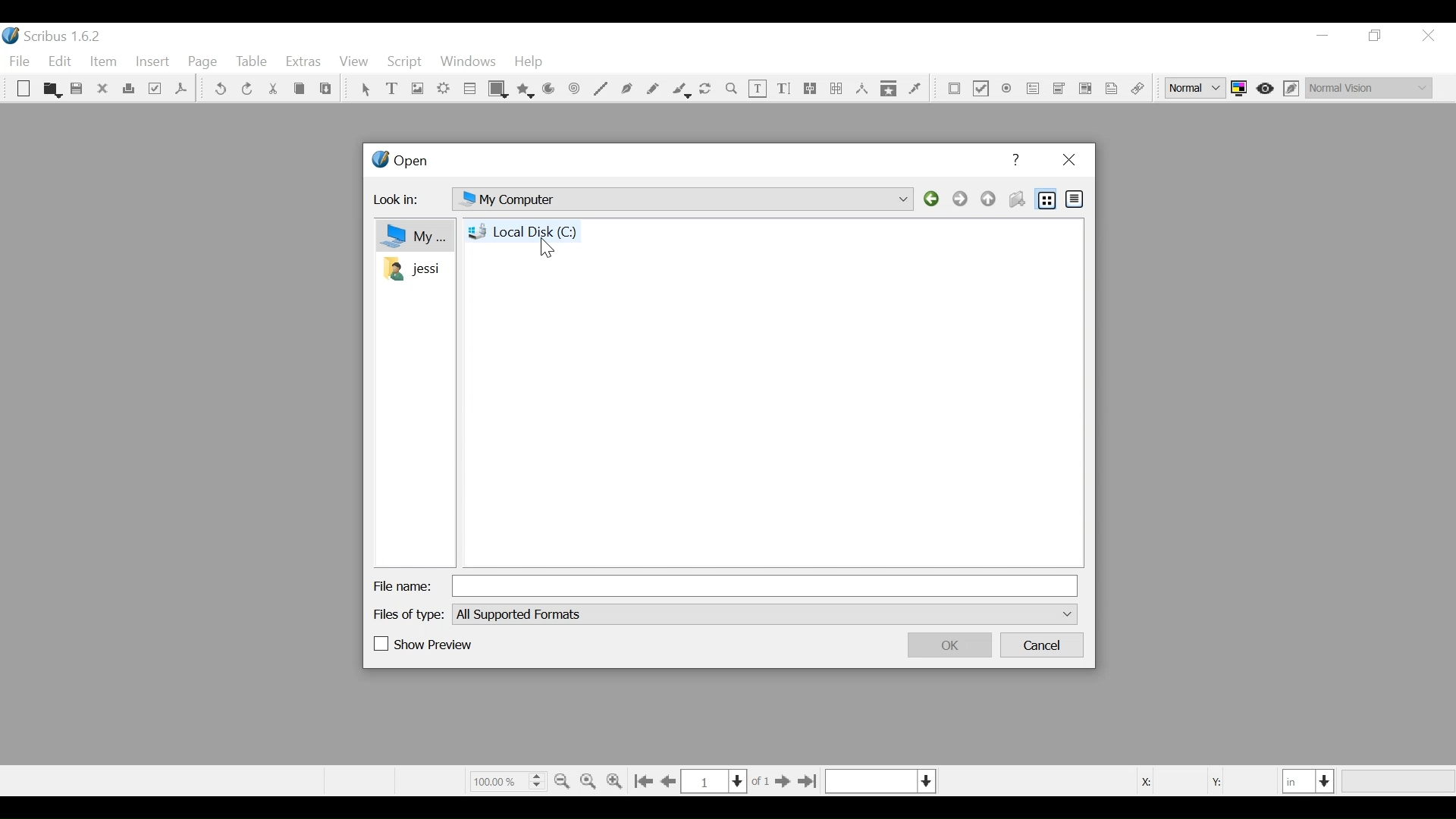 This screenshot has height=819, width=1456. Describe the element at coordinates (707, 89) in the screenshot. I see `Rotate image` at that location.